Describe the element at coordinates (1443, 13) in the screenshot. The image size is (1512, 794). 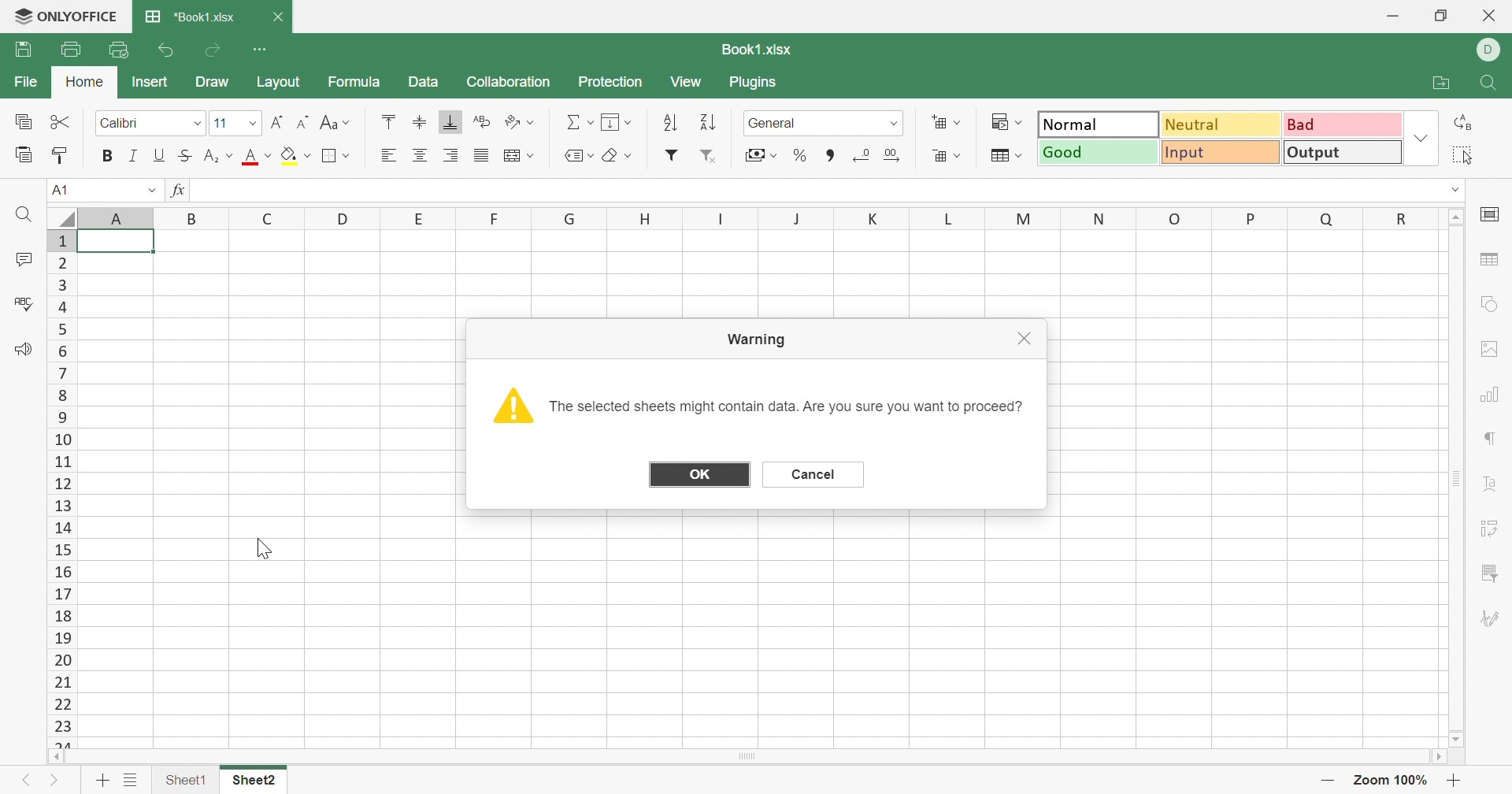
I see `Restore Down` at that location.